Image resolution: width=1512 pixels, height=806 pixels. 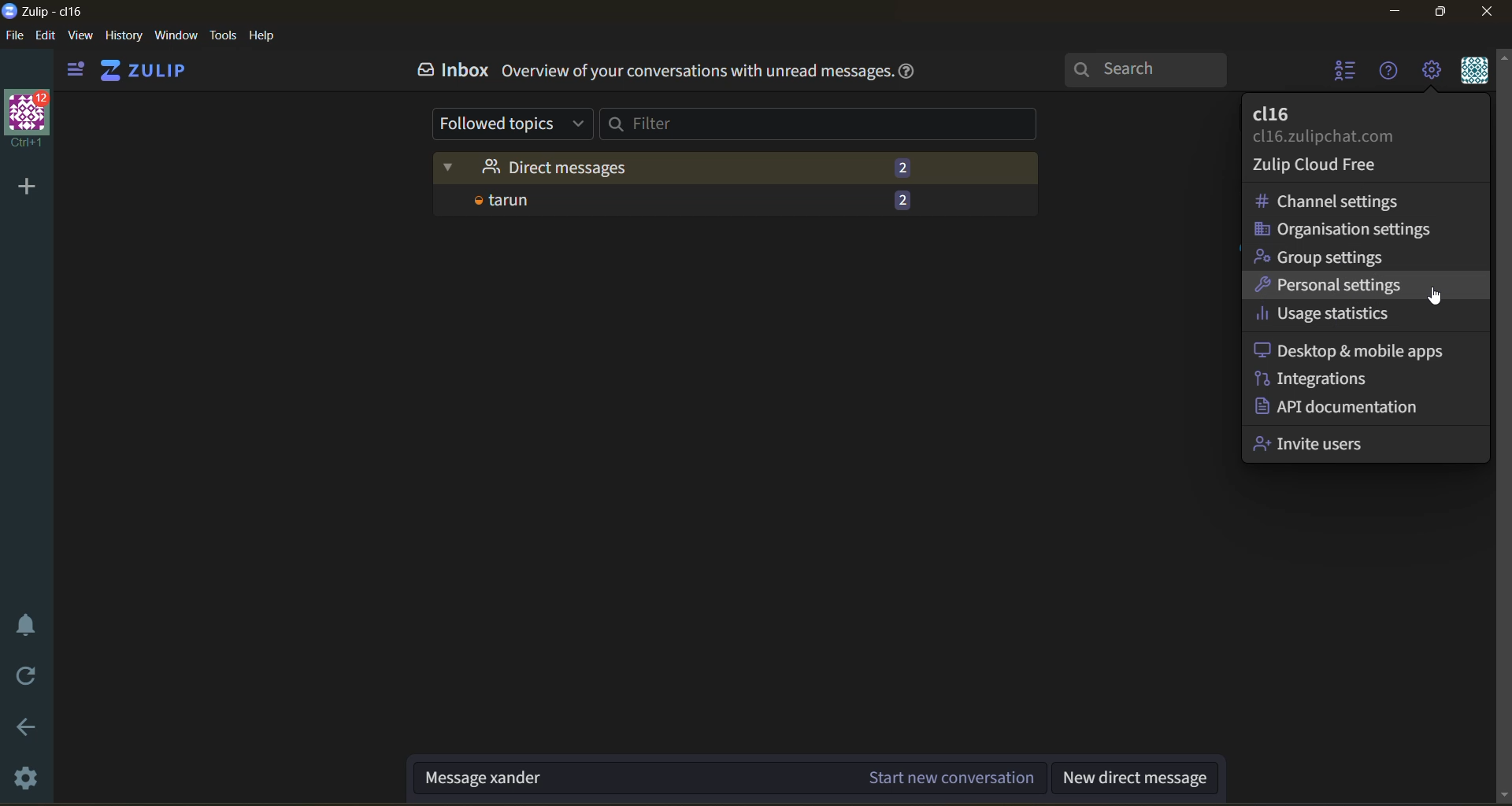 What do you see at coordinates (1503, 428) in the screenshot?
I see `Scroll bar` at bounding box center [1503, 428].